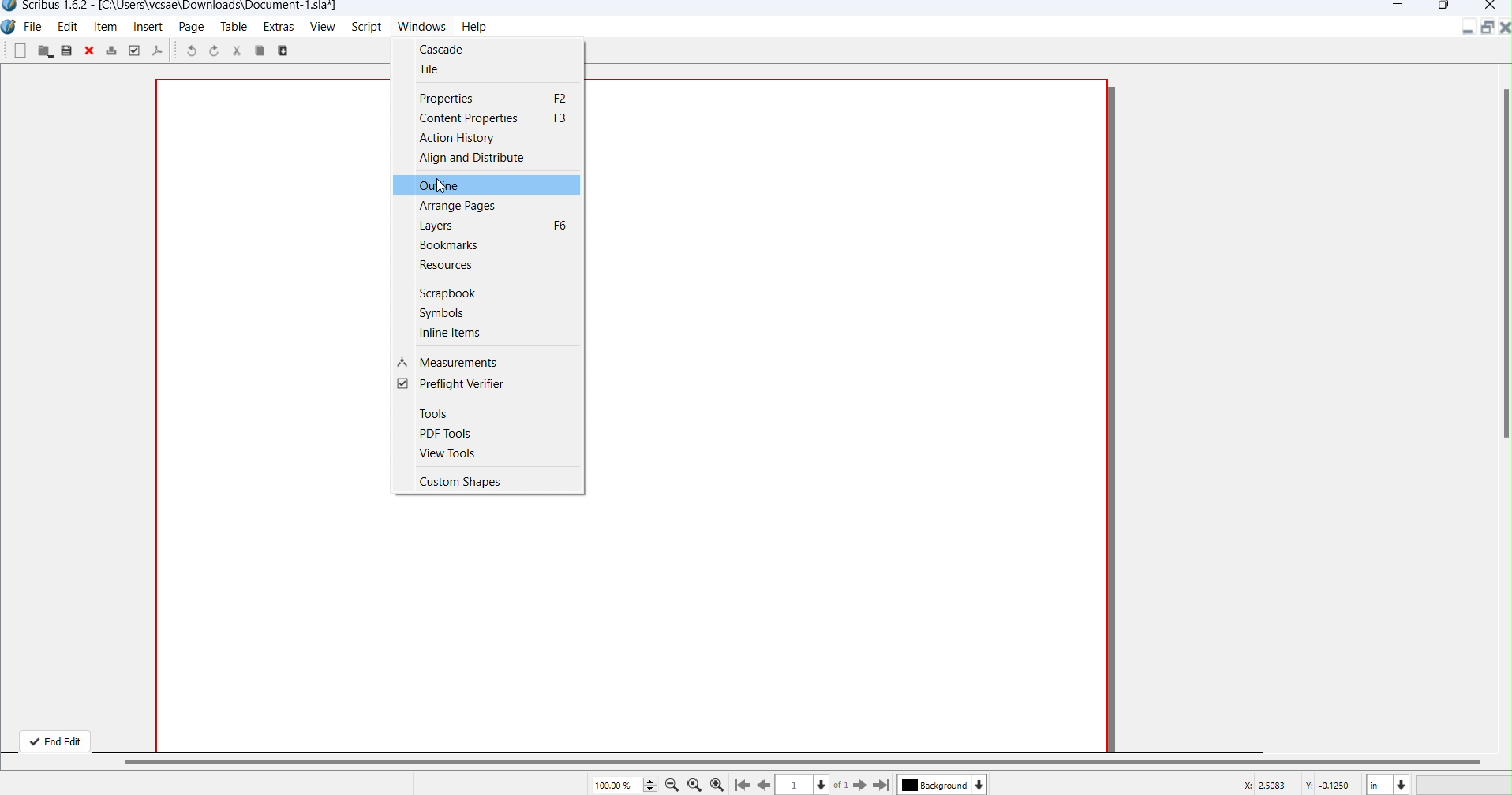 The image size is (1512, 795). I want to click on Scribus, so click(9, 29).